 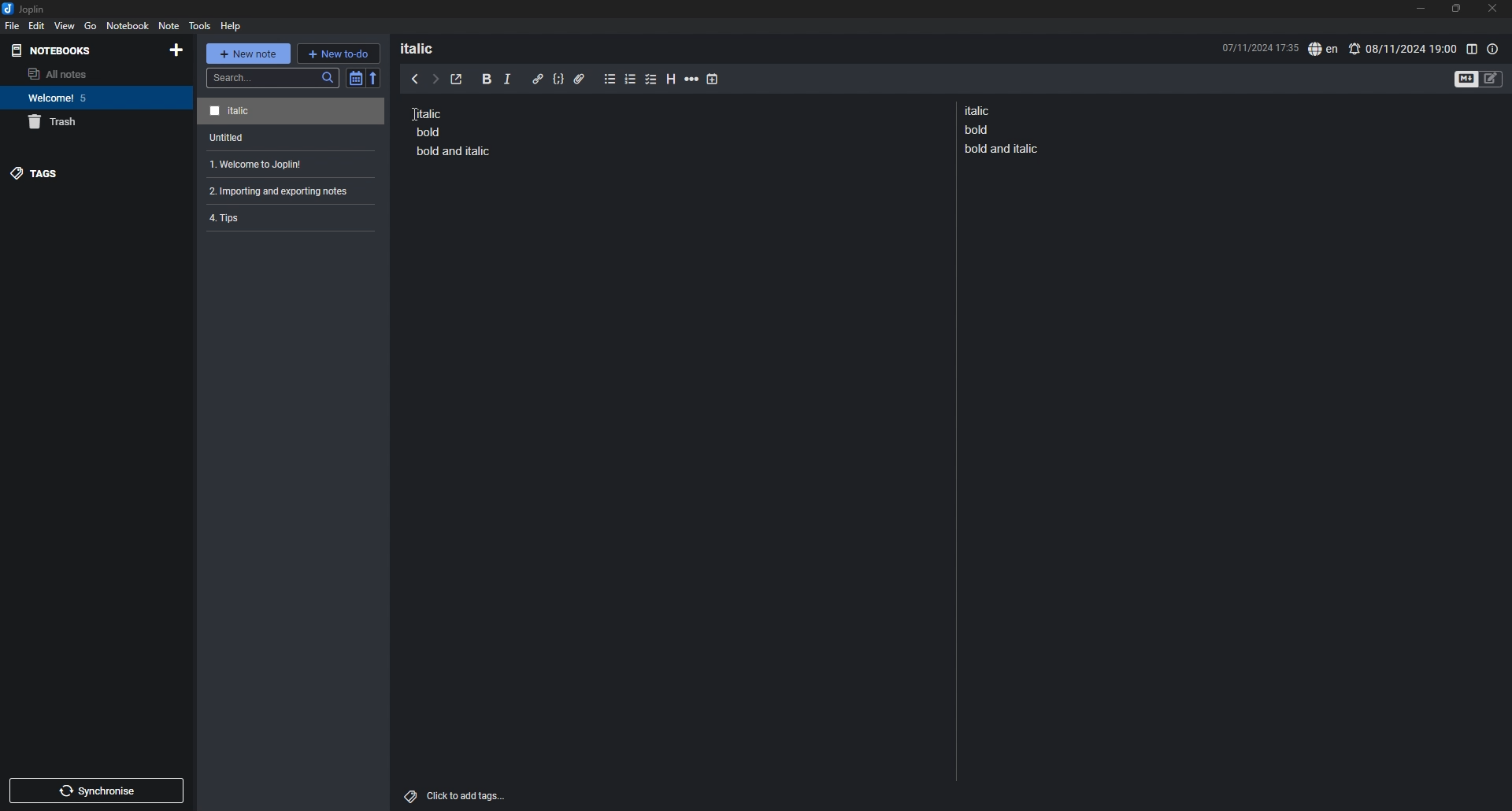 I want to click on trash, so click(x=97, y=122).